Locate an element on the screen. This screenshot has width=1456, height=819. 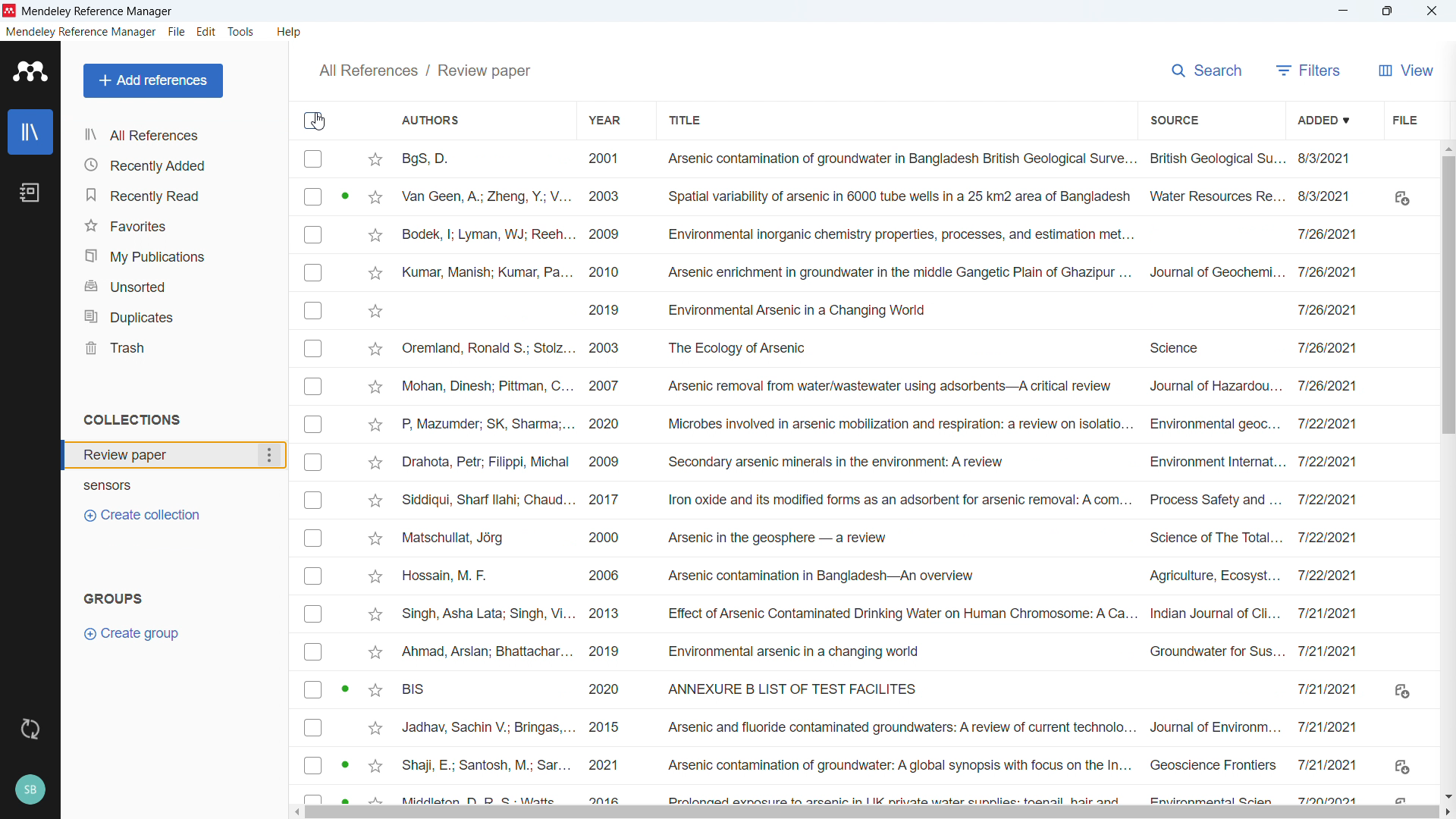
Adeel, Mister; Xu, Yubo; R... 2022 Improvement of phenol separation and biodegradation from saline wastewate... Bioresource Technol... 10/21/2024 is located at coordinates (882, 689).